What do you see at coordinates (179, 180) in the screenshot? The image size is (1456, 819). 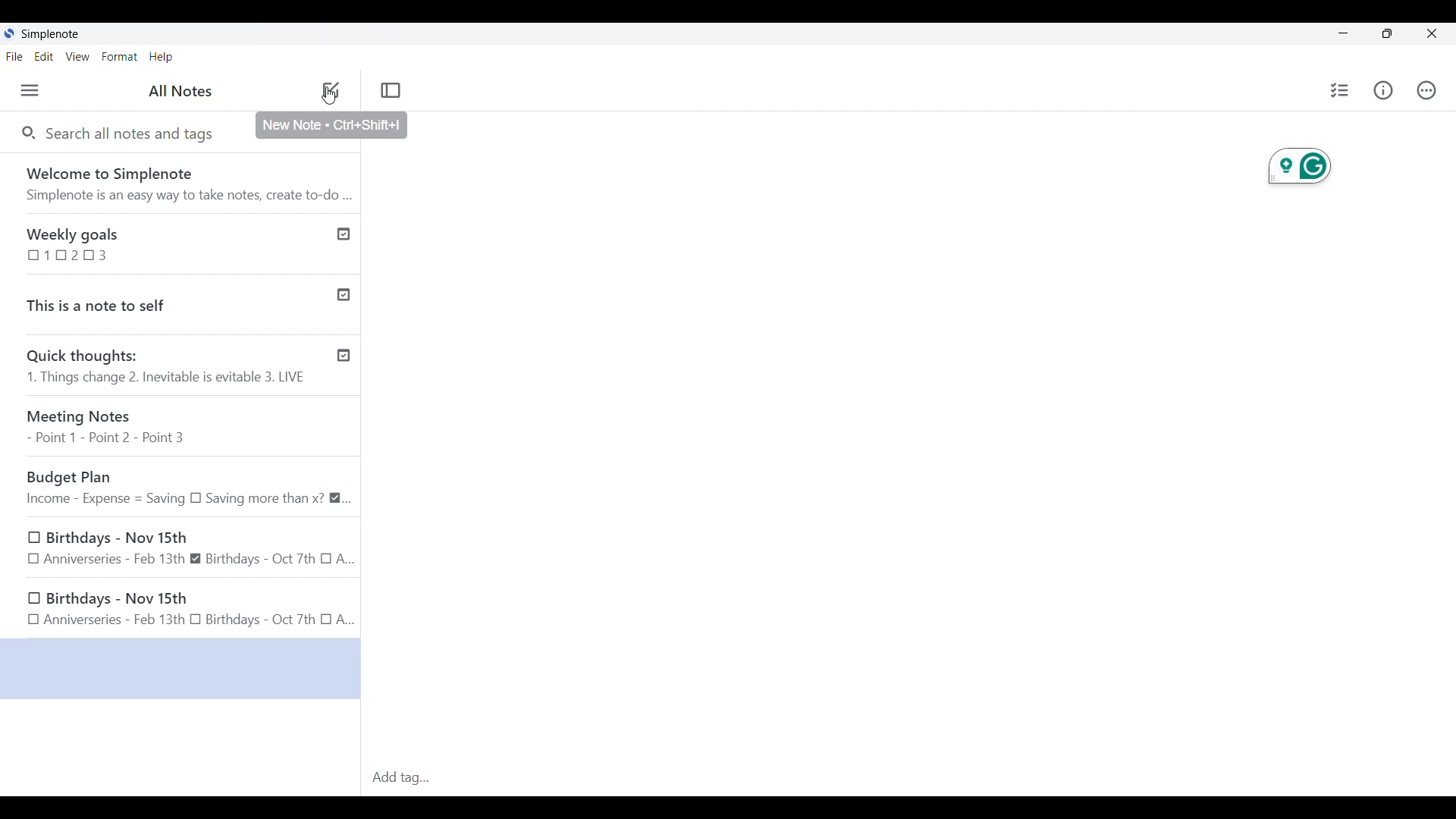 I see `Software welcome note` at bounding box center [179, 180].